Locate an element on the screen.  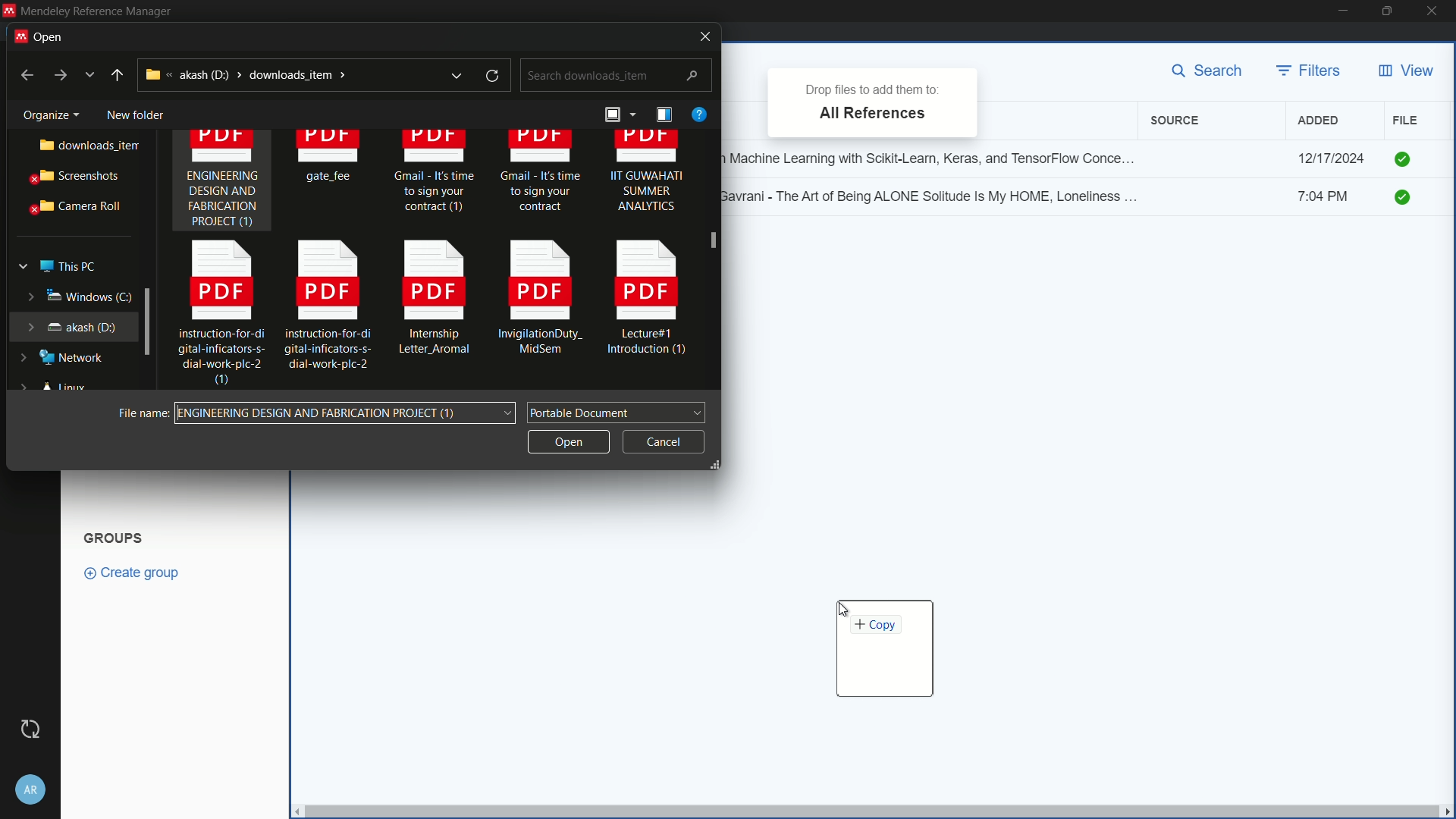
source is located at coordinates (1178, 121).